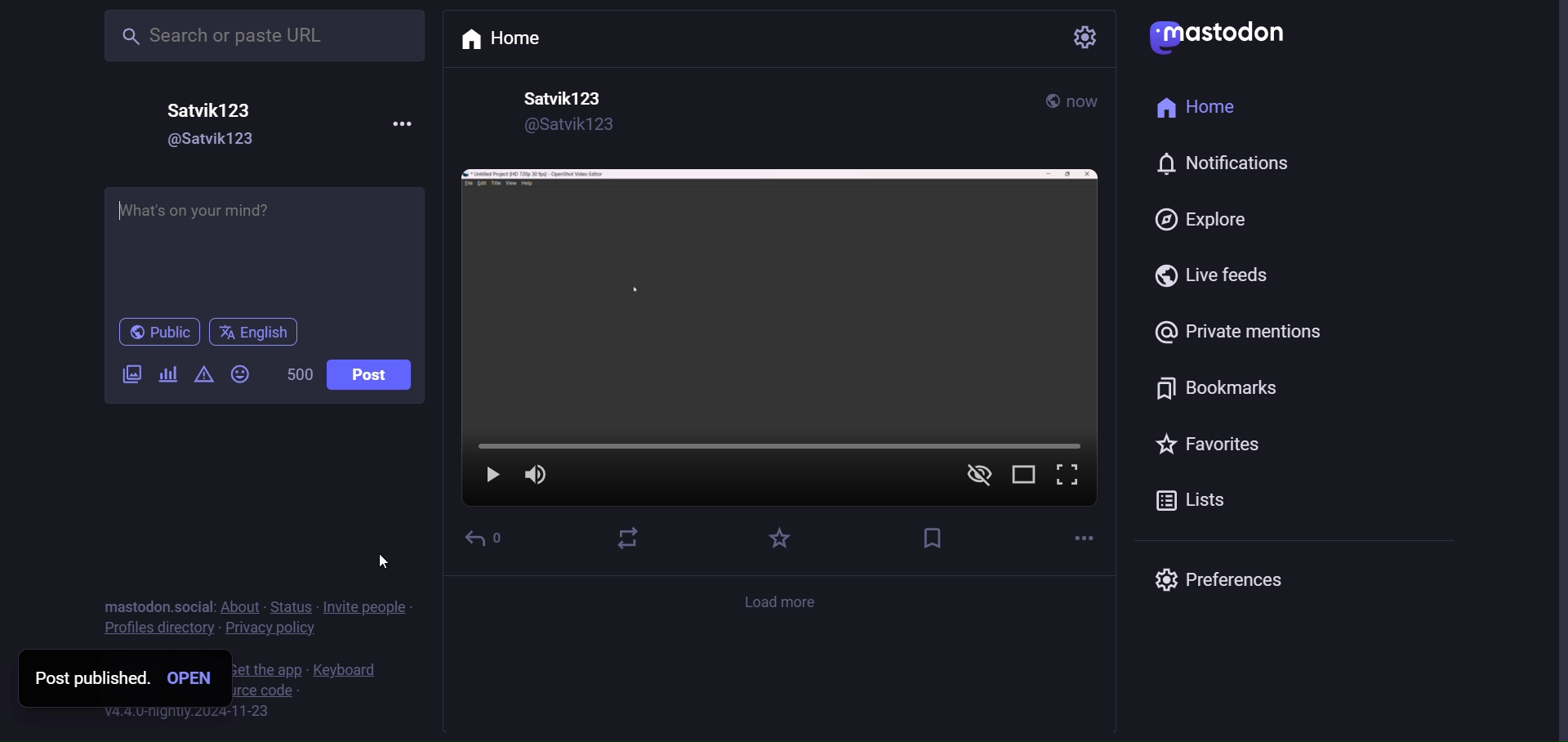  I want to click on favorites, so click(1204, 444).